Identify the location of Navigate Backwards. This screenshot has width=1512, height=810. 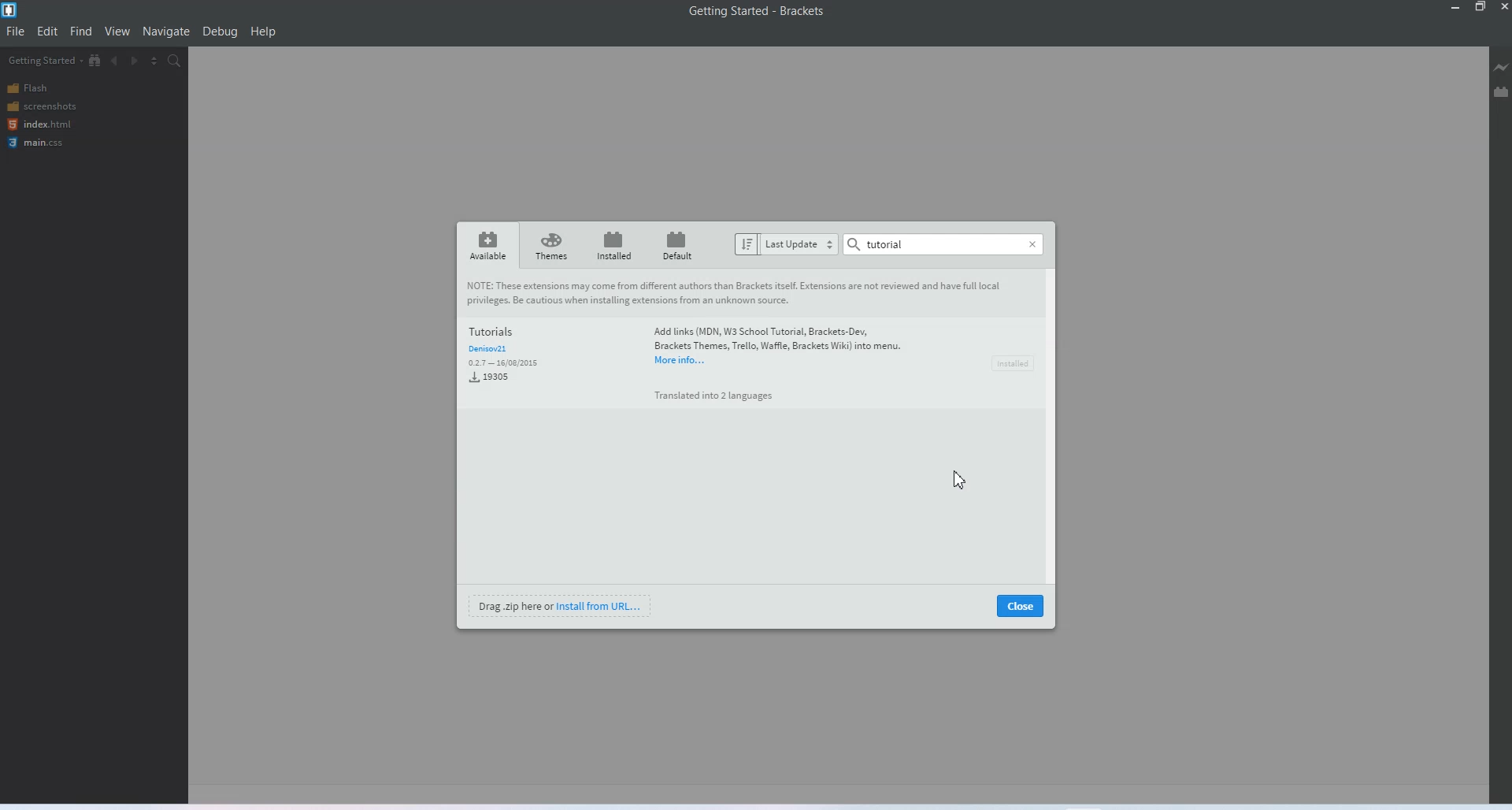
(117, 61).